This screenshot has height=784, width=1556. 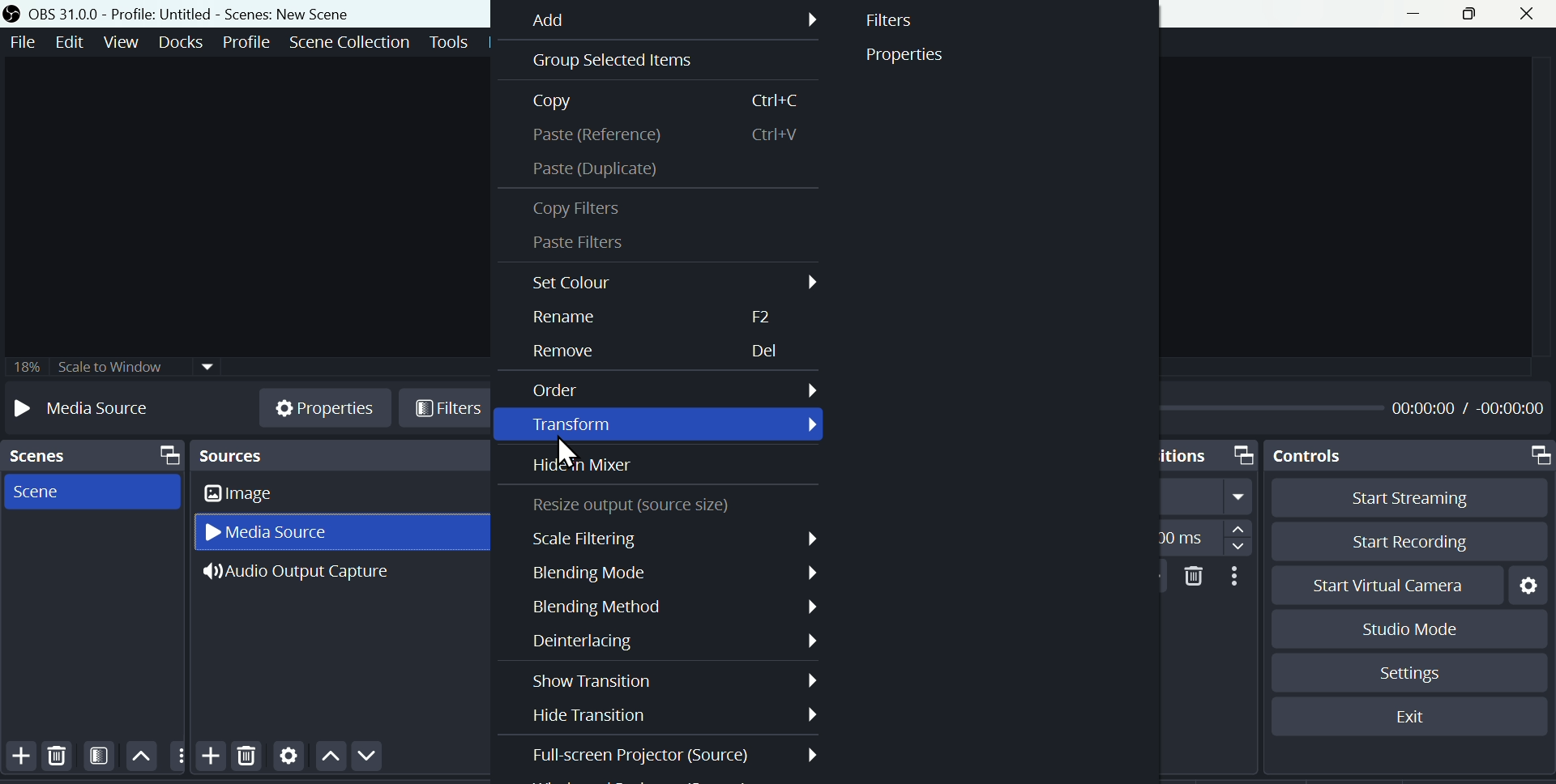 I want to click on Edit, so click(x=72, y=43).